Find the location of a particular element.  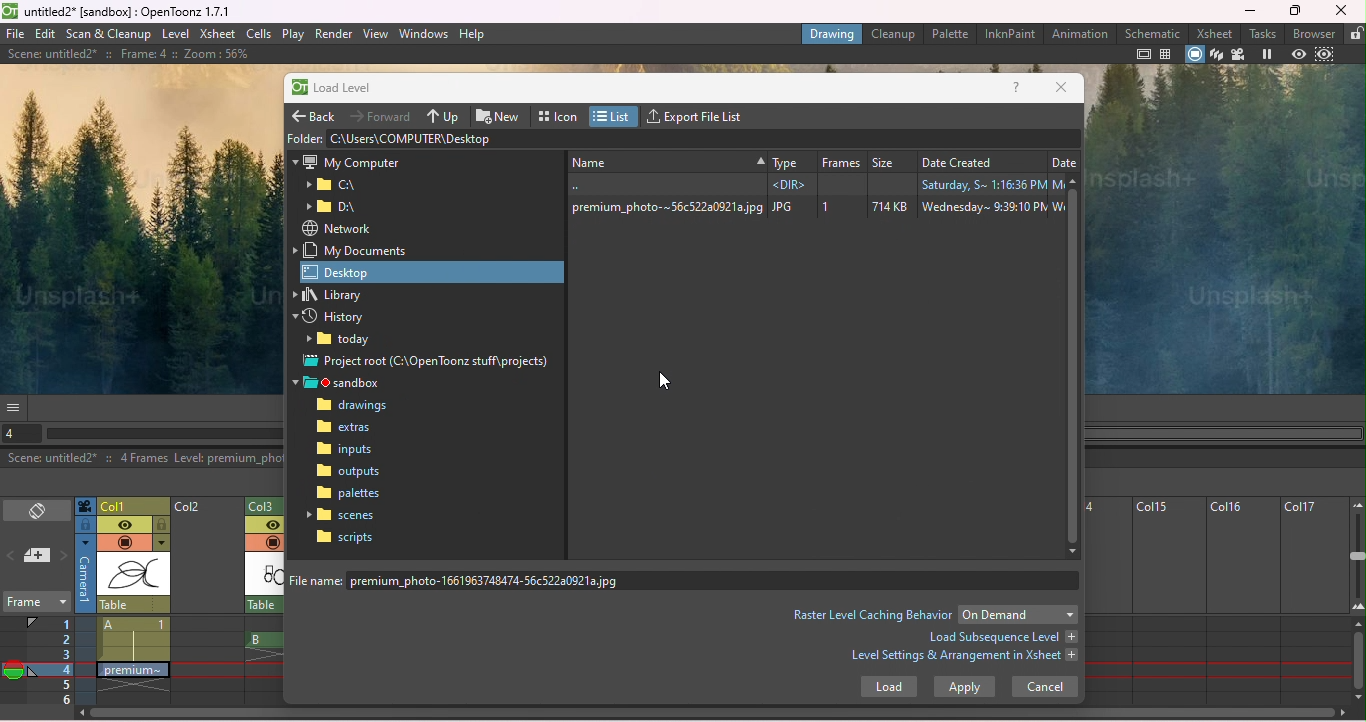

Column 16 is located at coordinates (1241, 601).